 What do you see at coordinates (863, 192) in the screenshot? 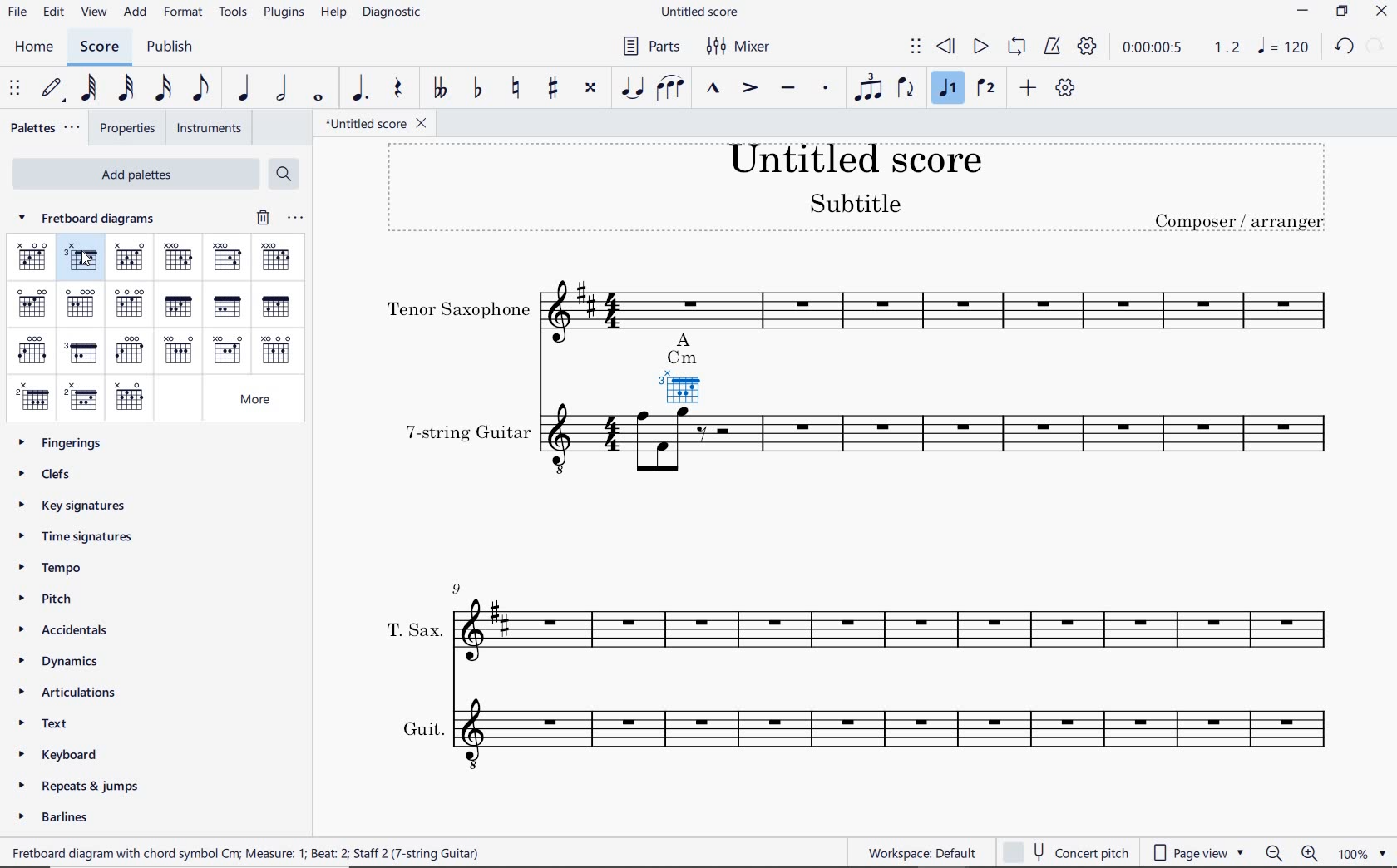
I see `TITLE` at bounding box center [863, 192].